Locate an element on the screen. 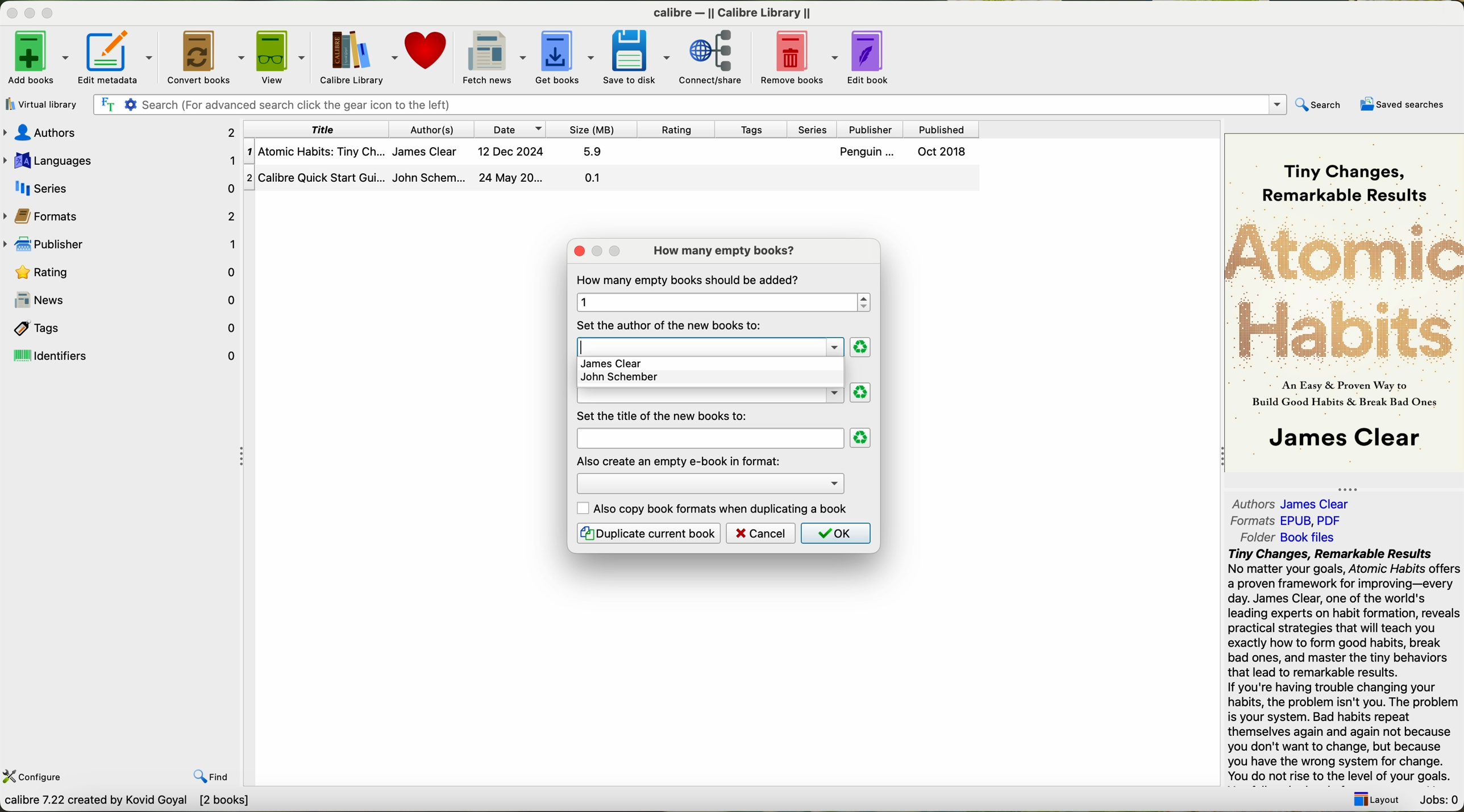 The width and height of the screenshot is (1464, 812). tags is located at coordinates (753, 129).